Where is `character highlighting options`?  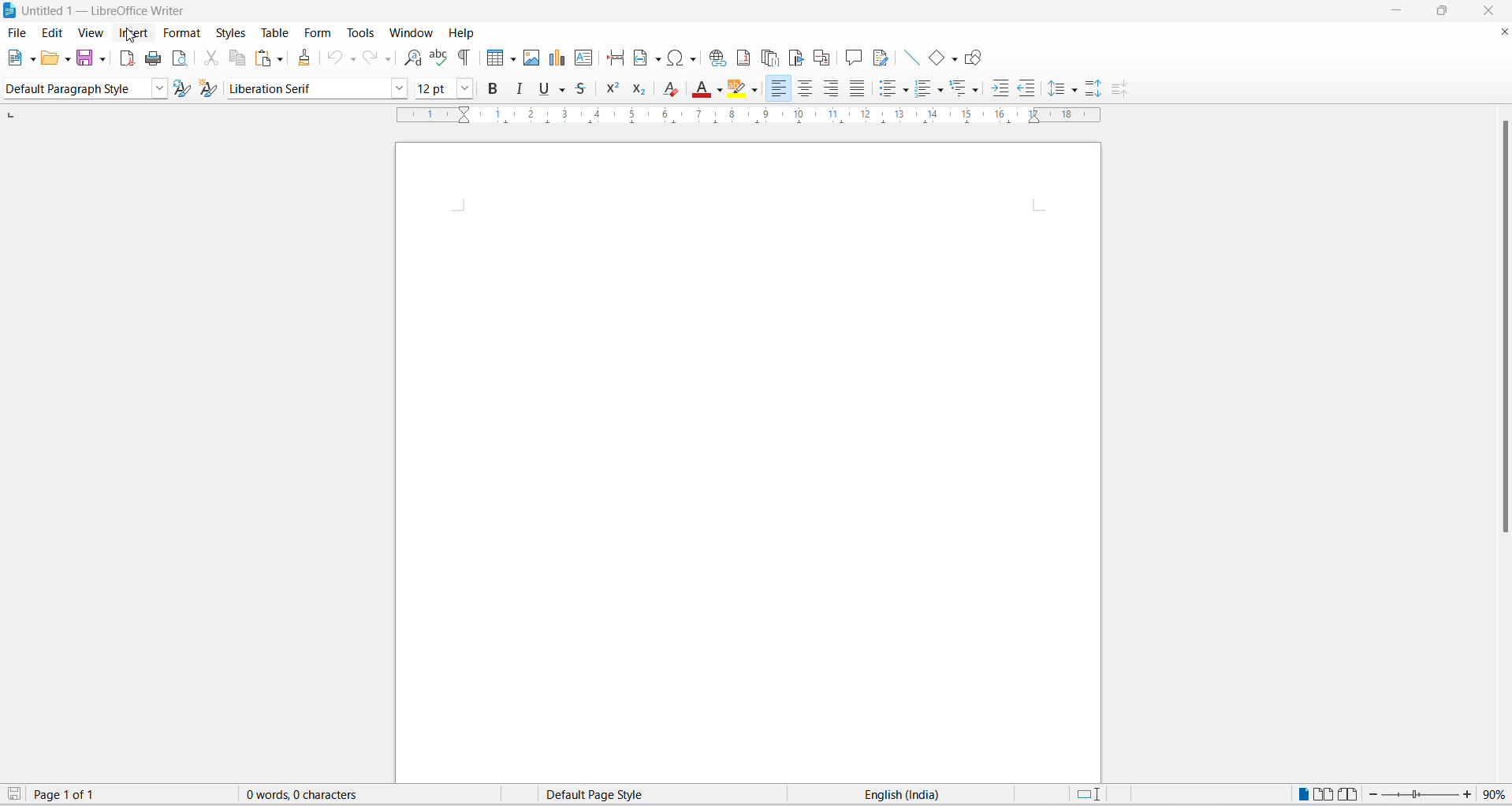 character highlighting options is located at coordinates (758, 89).